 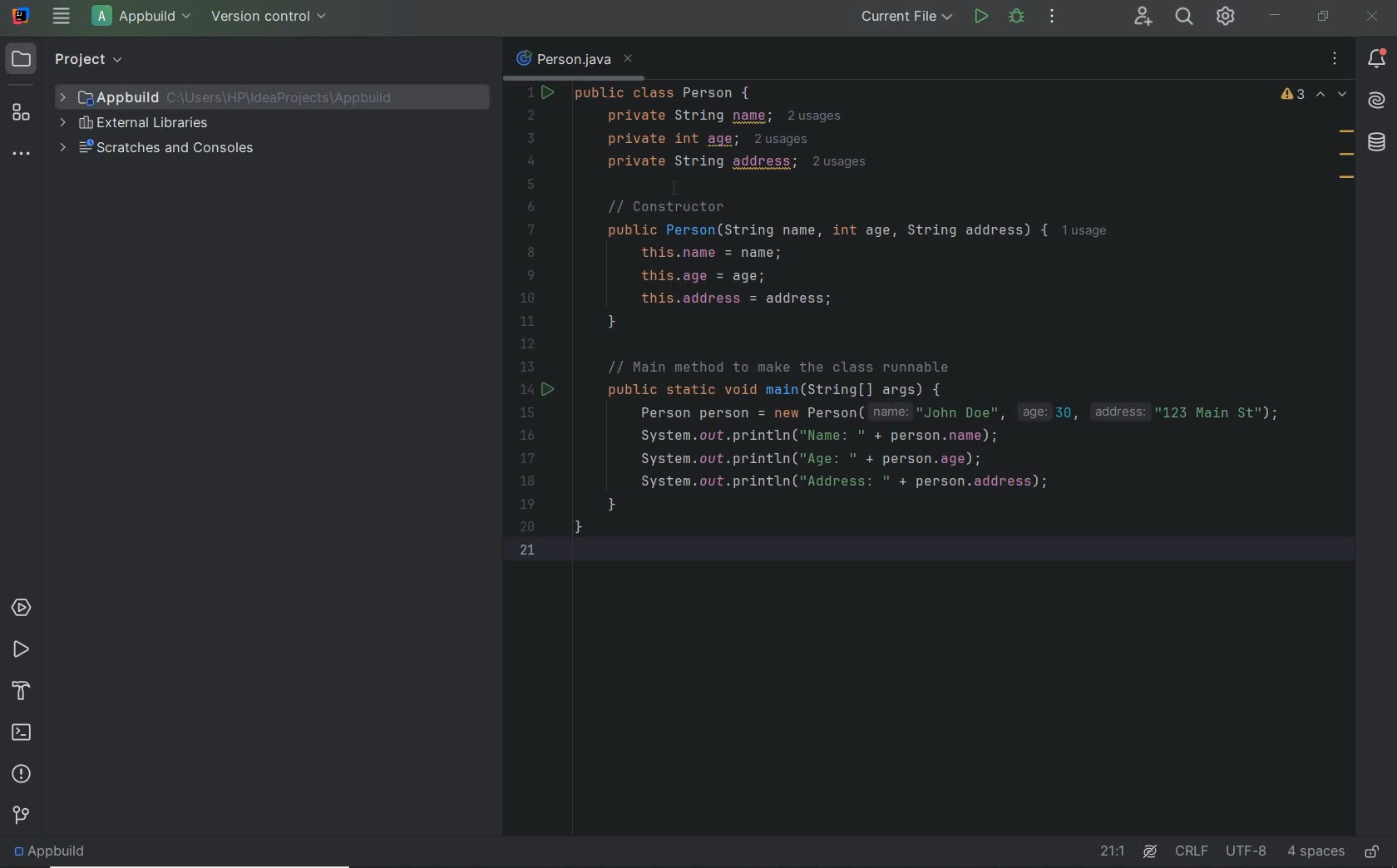 I want to click on previous and next highlighted problems, so click(x=1332, y=96).